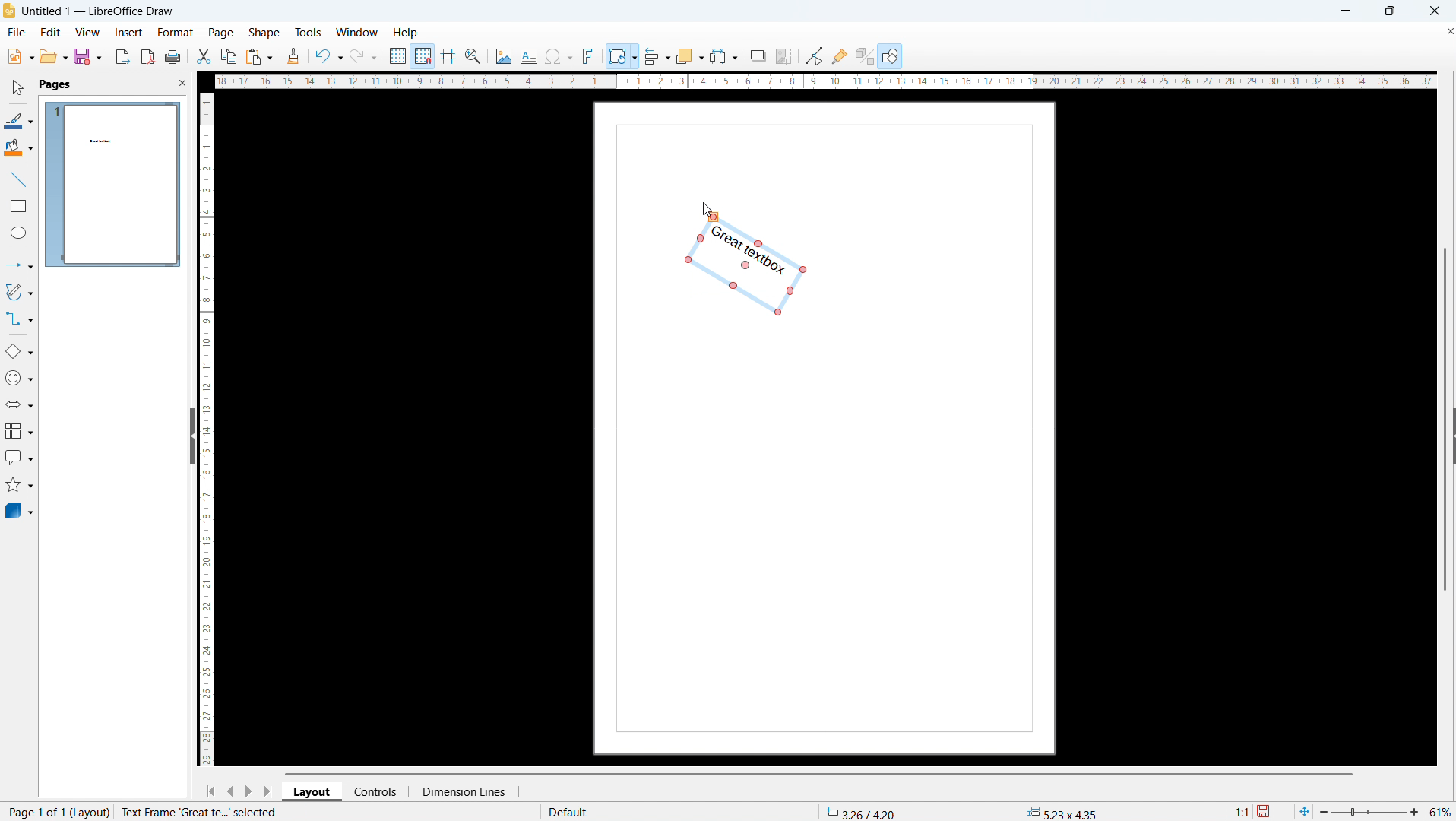  Describe the element at coordinates (182, 82) in the screenshot. I see `close pane` at that location.